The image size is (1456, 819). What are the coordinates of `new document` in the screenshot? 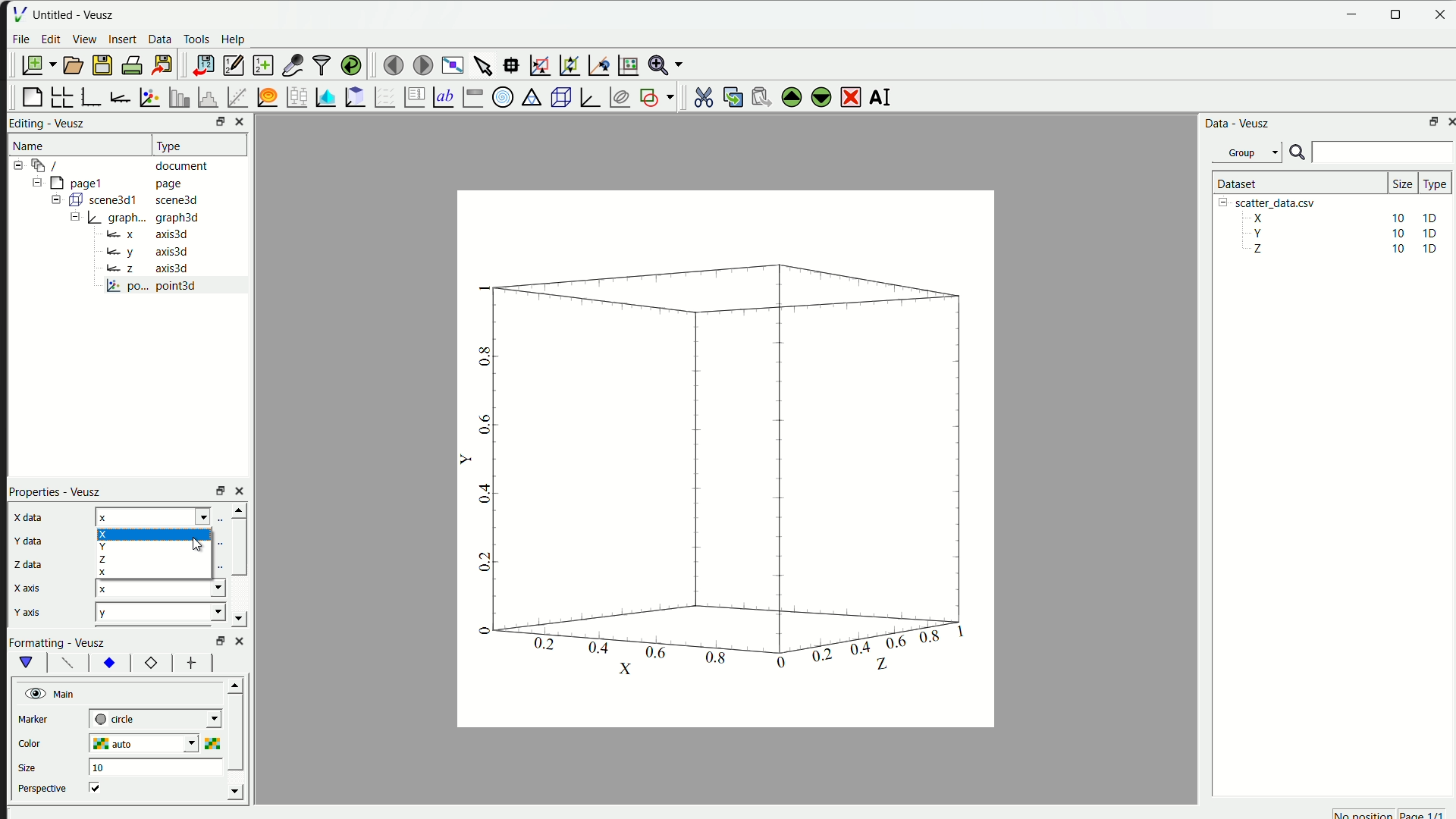 It's located at (35, 64).